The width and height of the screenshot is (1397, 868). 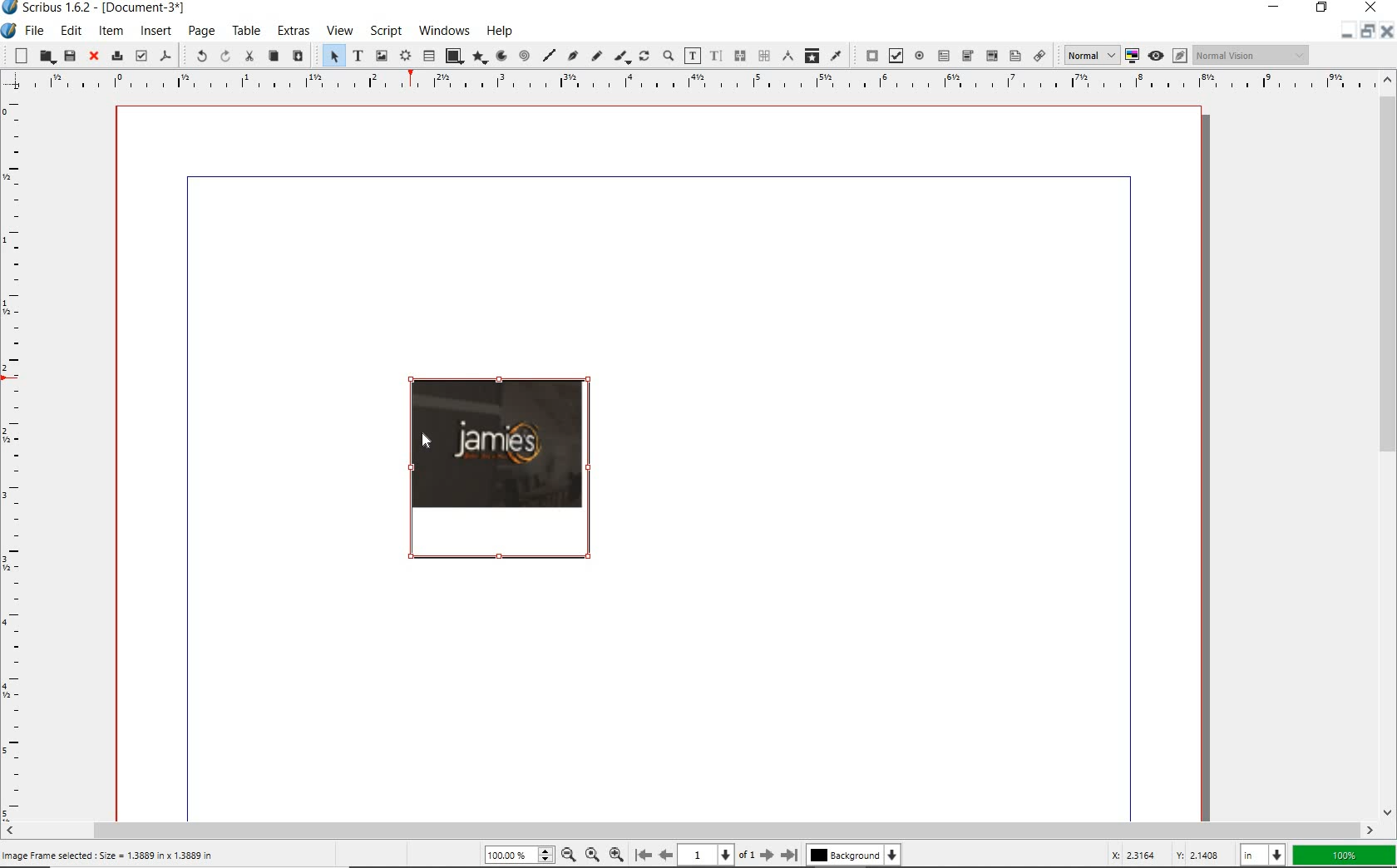 What do you see at coordinates (1014, 55) in the screenshot?
I see `pdf list box` at bounding box center [1014, 55].